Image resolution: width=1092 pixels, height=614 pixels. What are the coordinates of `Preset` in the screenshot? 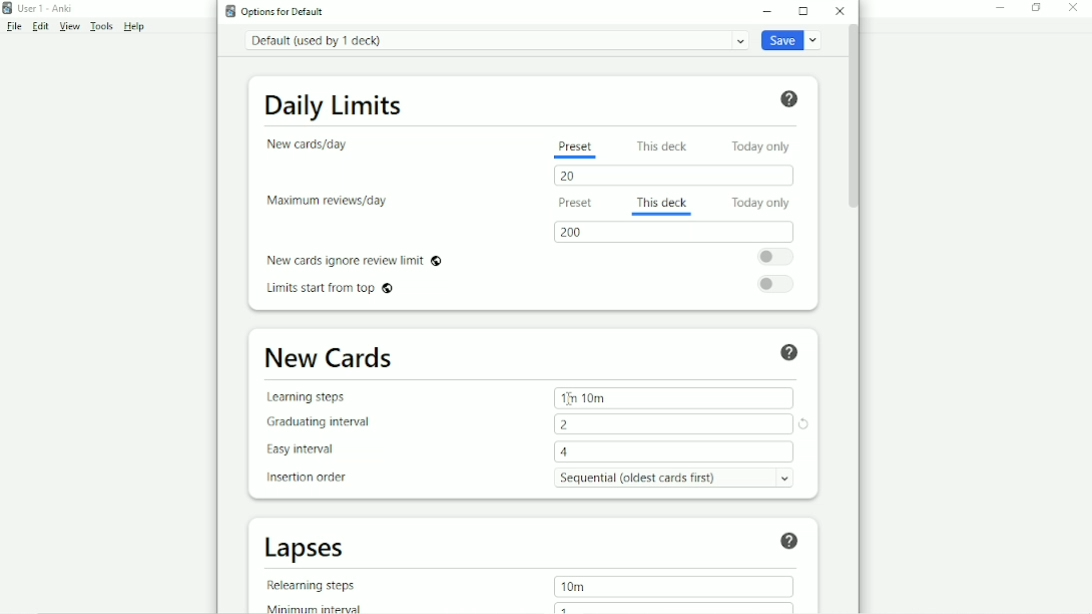 It's located at (575, 148).